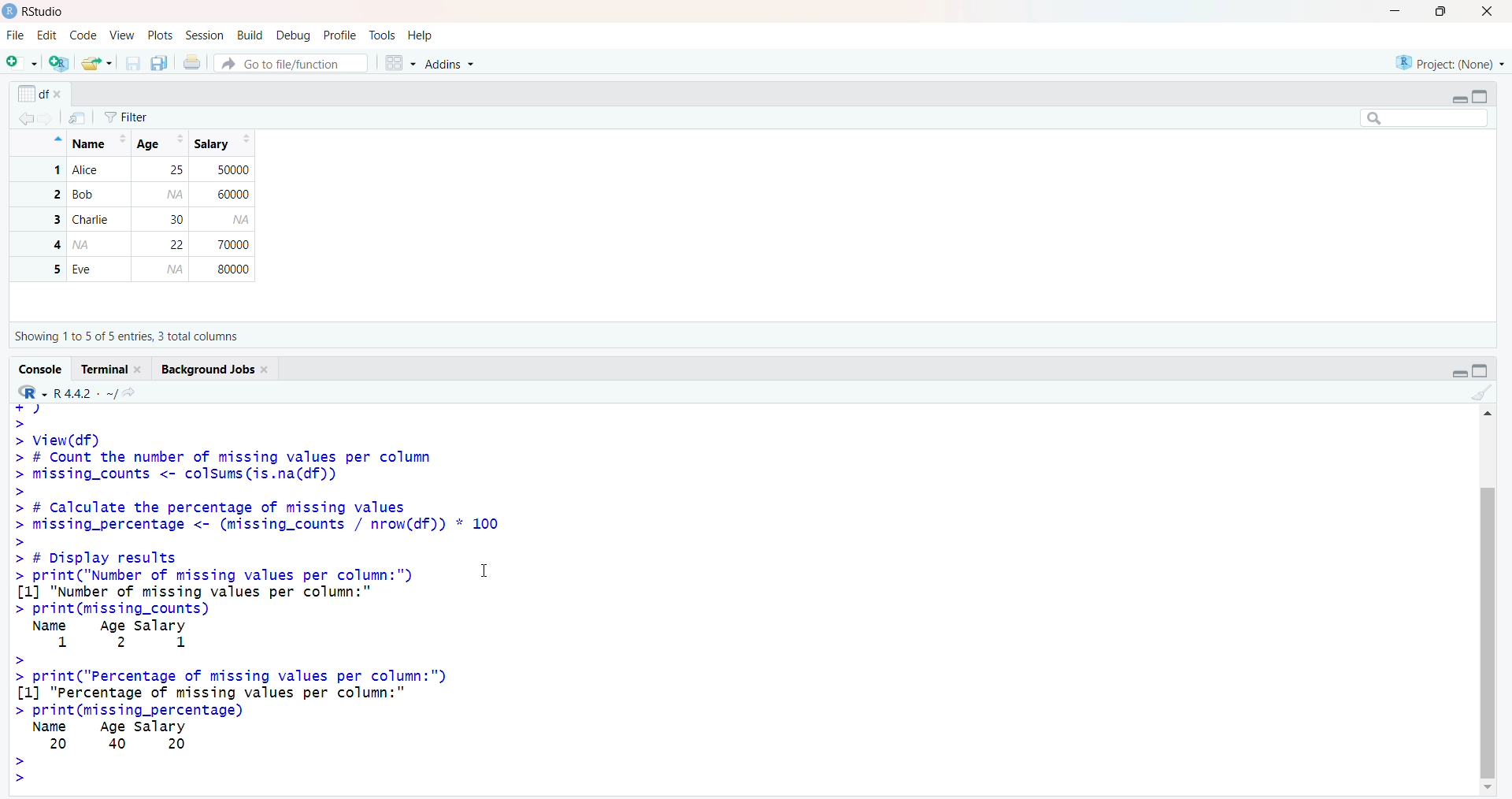 Image resolution: width=1512 pixels, height=799 pixels. What do you see at coordinates (39, 369) in the screenshot?
I see `Console` at bounding box center [39, 369].